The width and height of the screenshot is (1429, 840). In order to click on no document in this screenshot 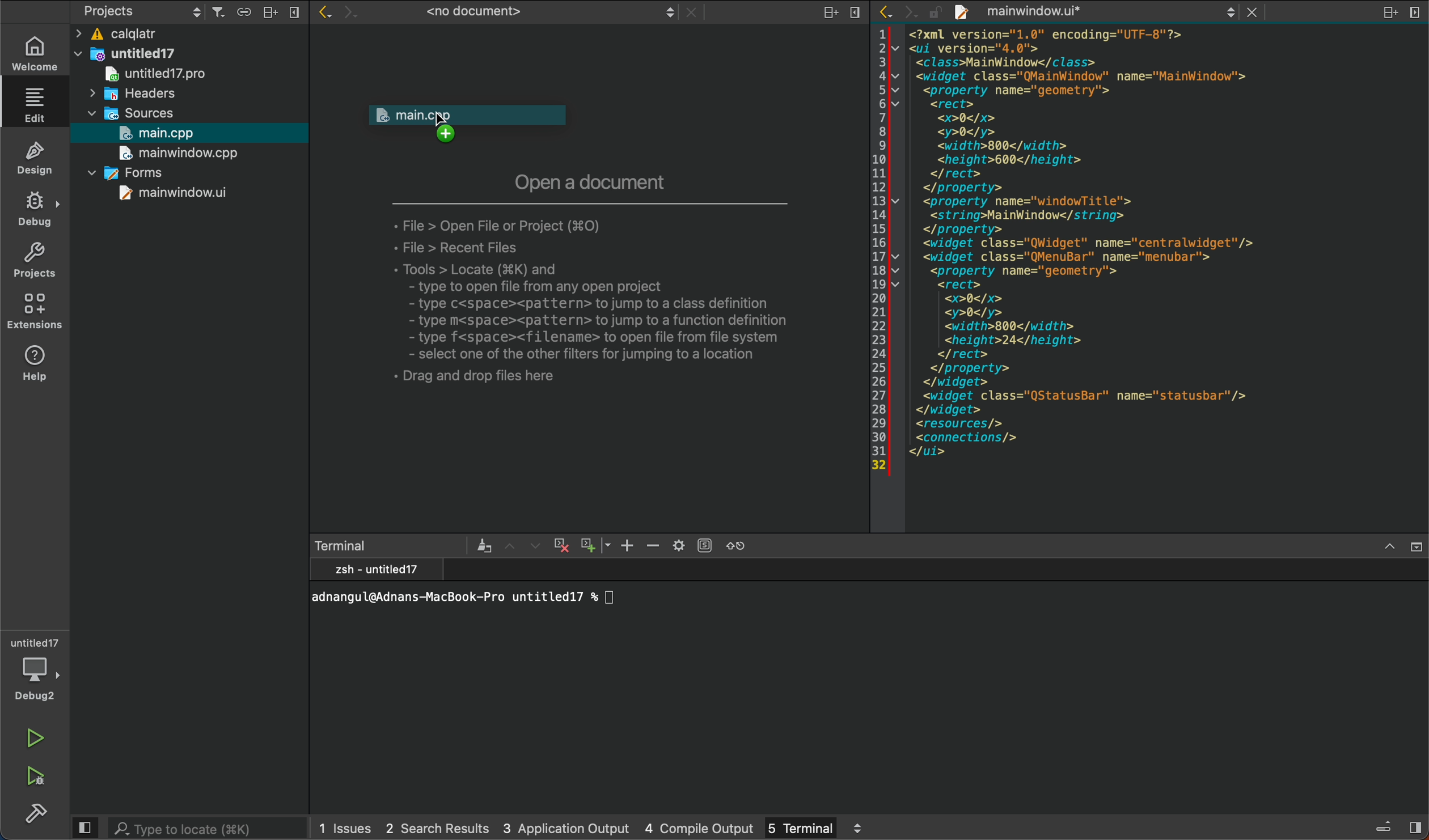, I will do `click(527, 14)`.